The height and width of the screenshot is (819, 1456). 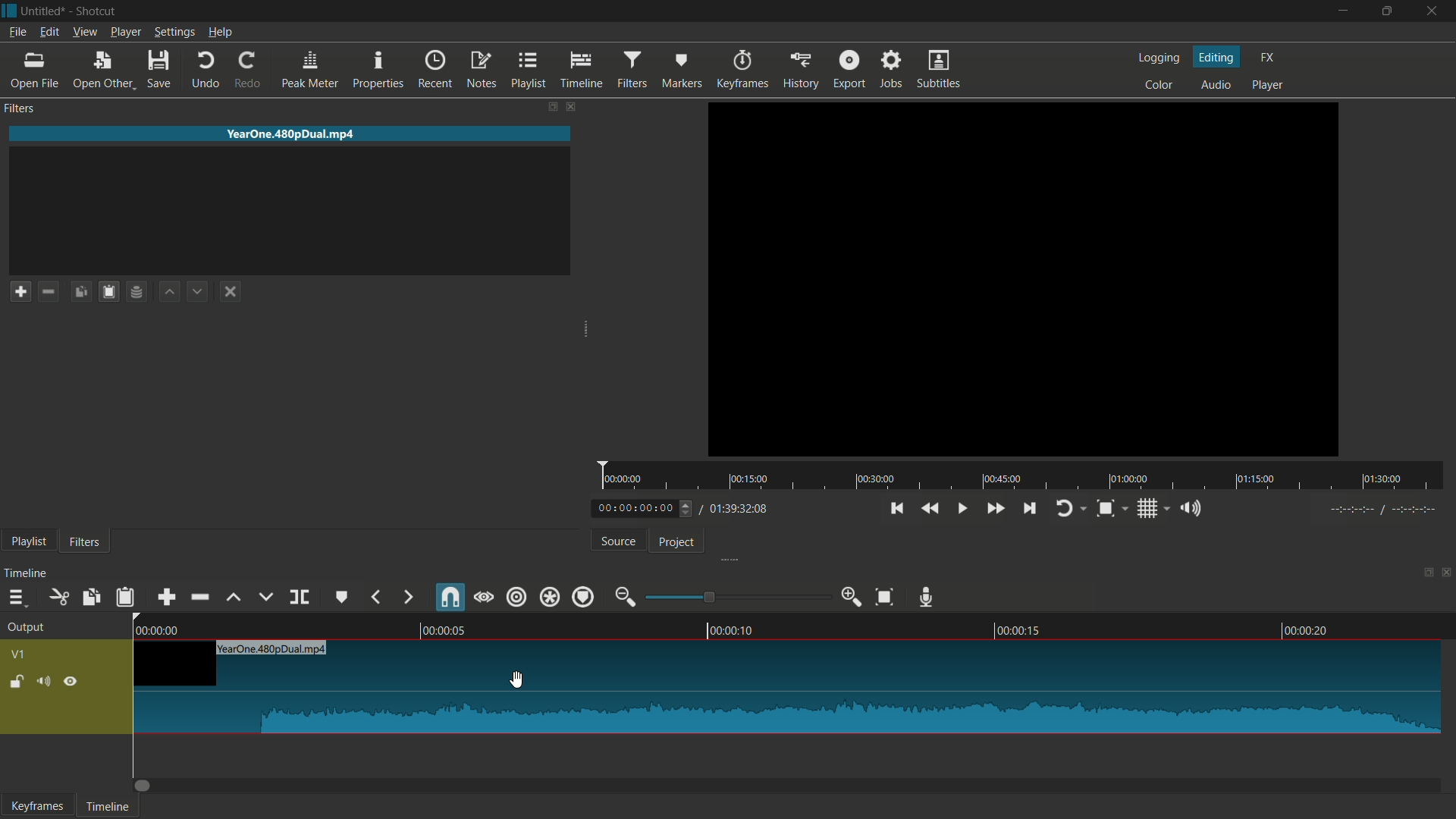 What do you see at coordinates (1147, 508) in the screenshot?
I see `toggle grid` at bounding box center [1147, 508].